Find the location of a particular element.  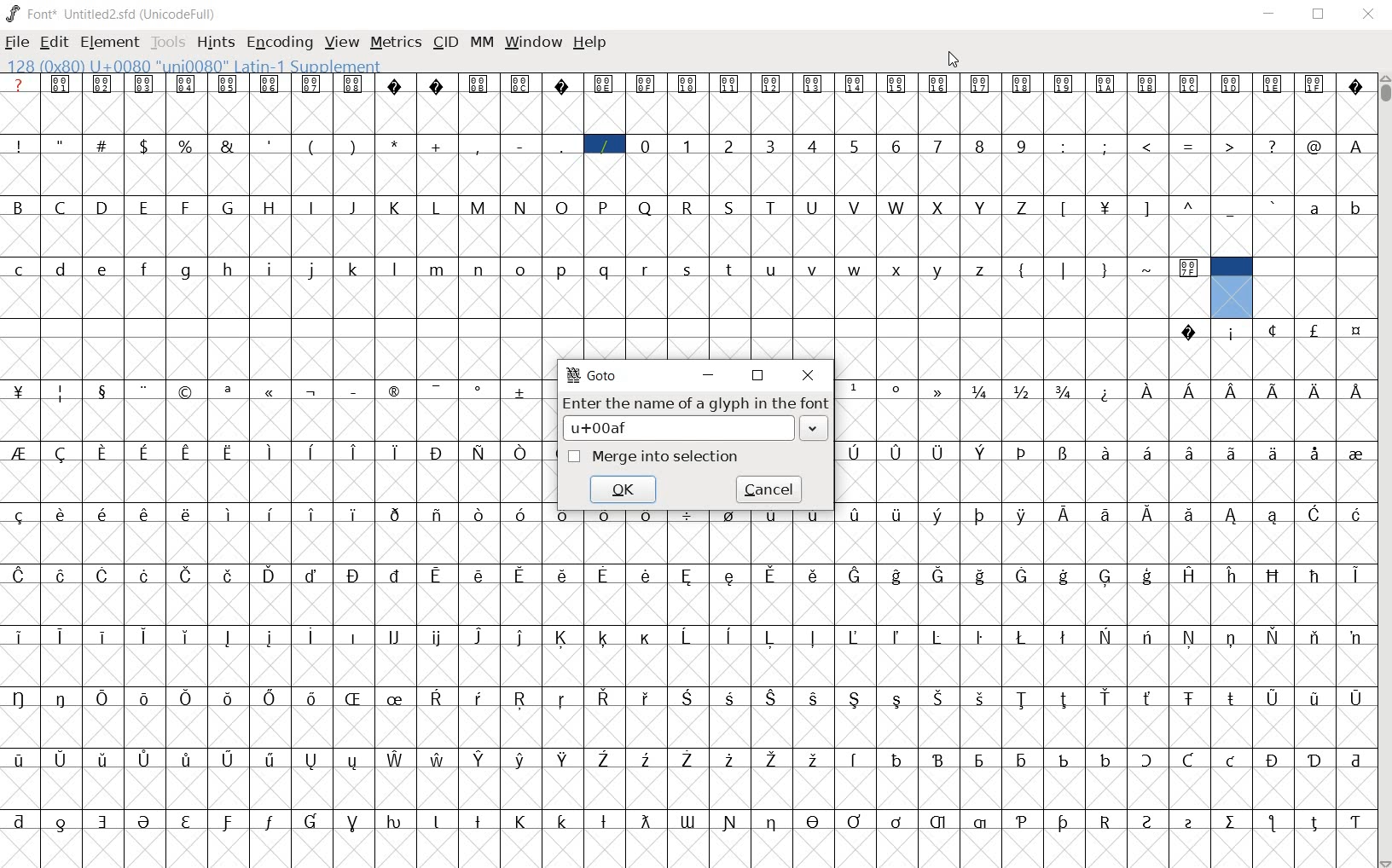

edit is located at coordinates (54, 42).